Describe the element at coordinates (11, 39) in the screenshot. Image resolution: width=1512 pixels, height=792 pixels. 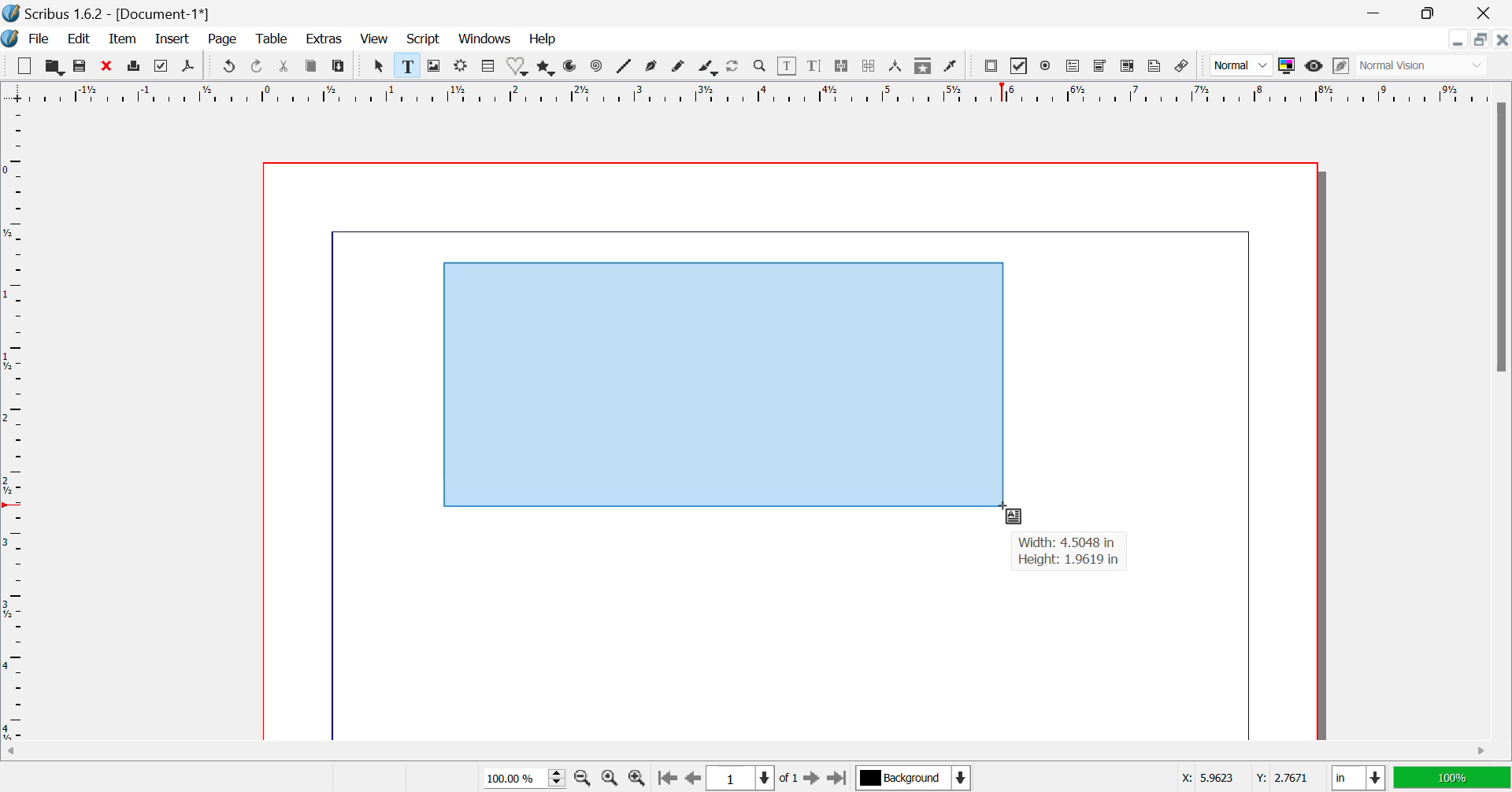
I see `Scribus Logo` at that location.